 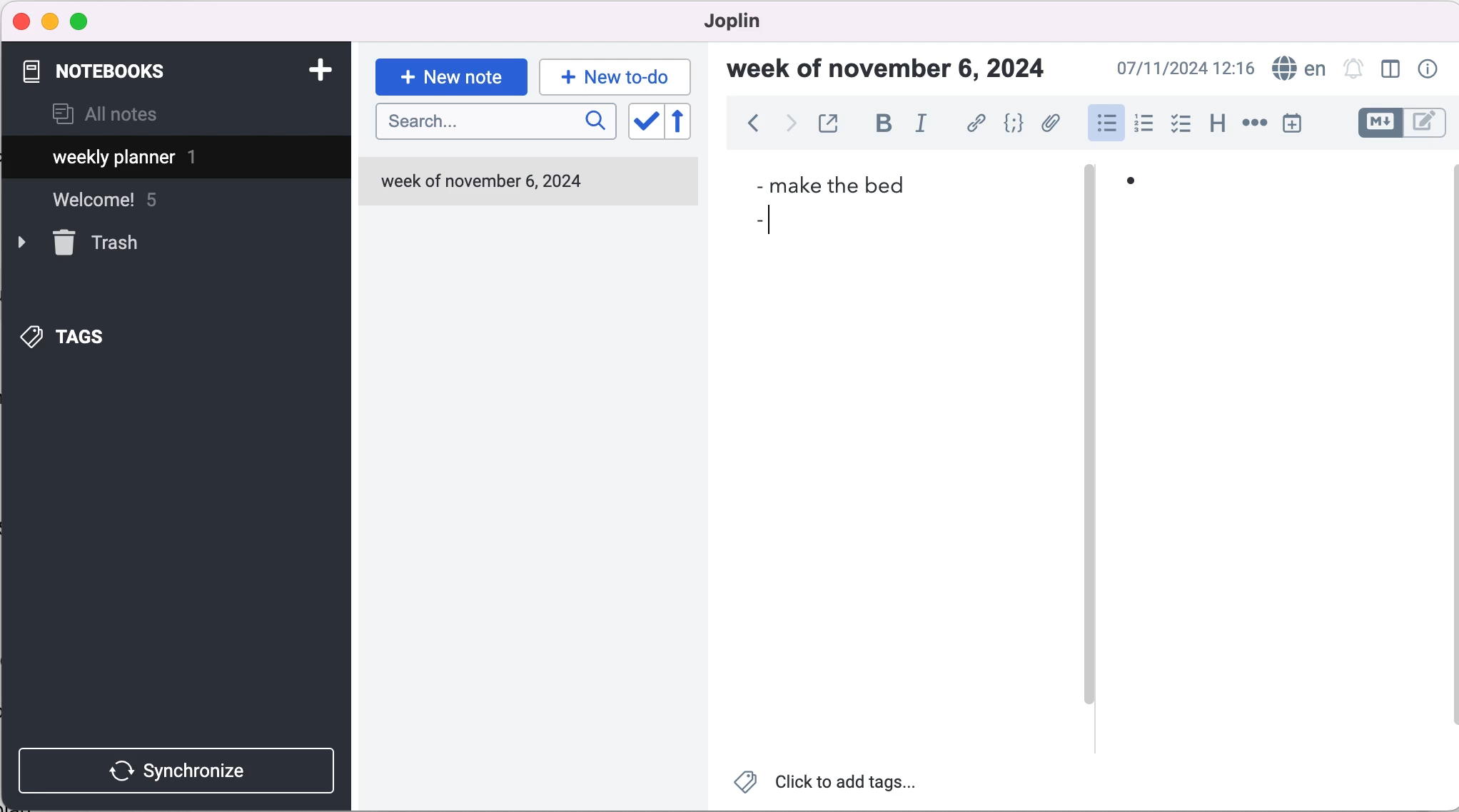 What do you see at coordinates (690, 124) in the screenshot?
I see `reverse sort order` at bounding box center [690, 124].